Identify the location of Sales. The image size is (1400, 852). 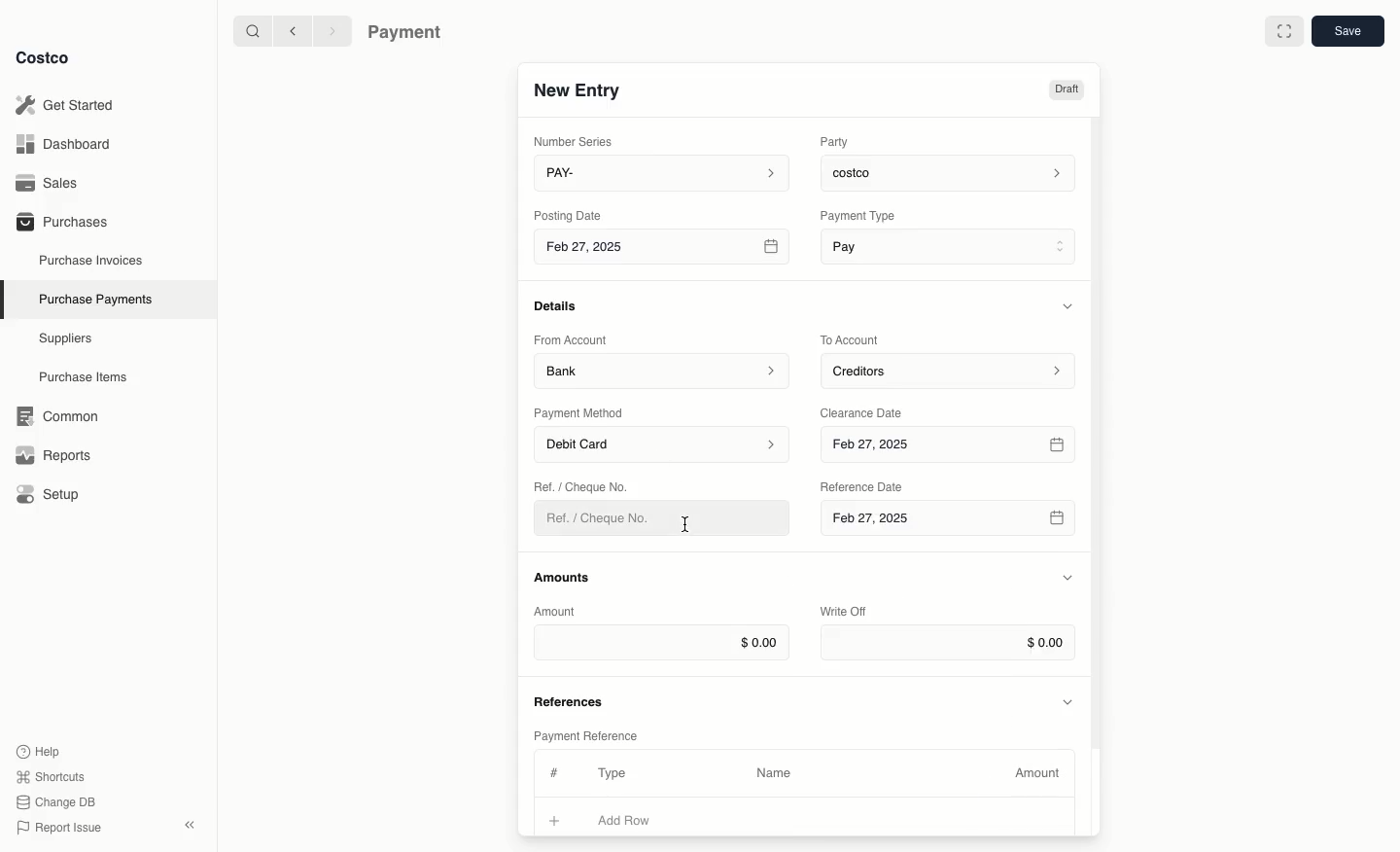
(53, 183).